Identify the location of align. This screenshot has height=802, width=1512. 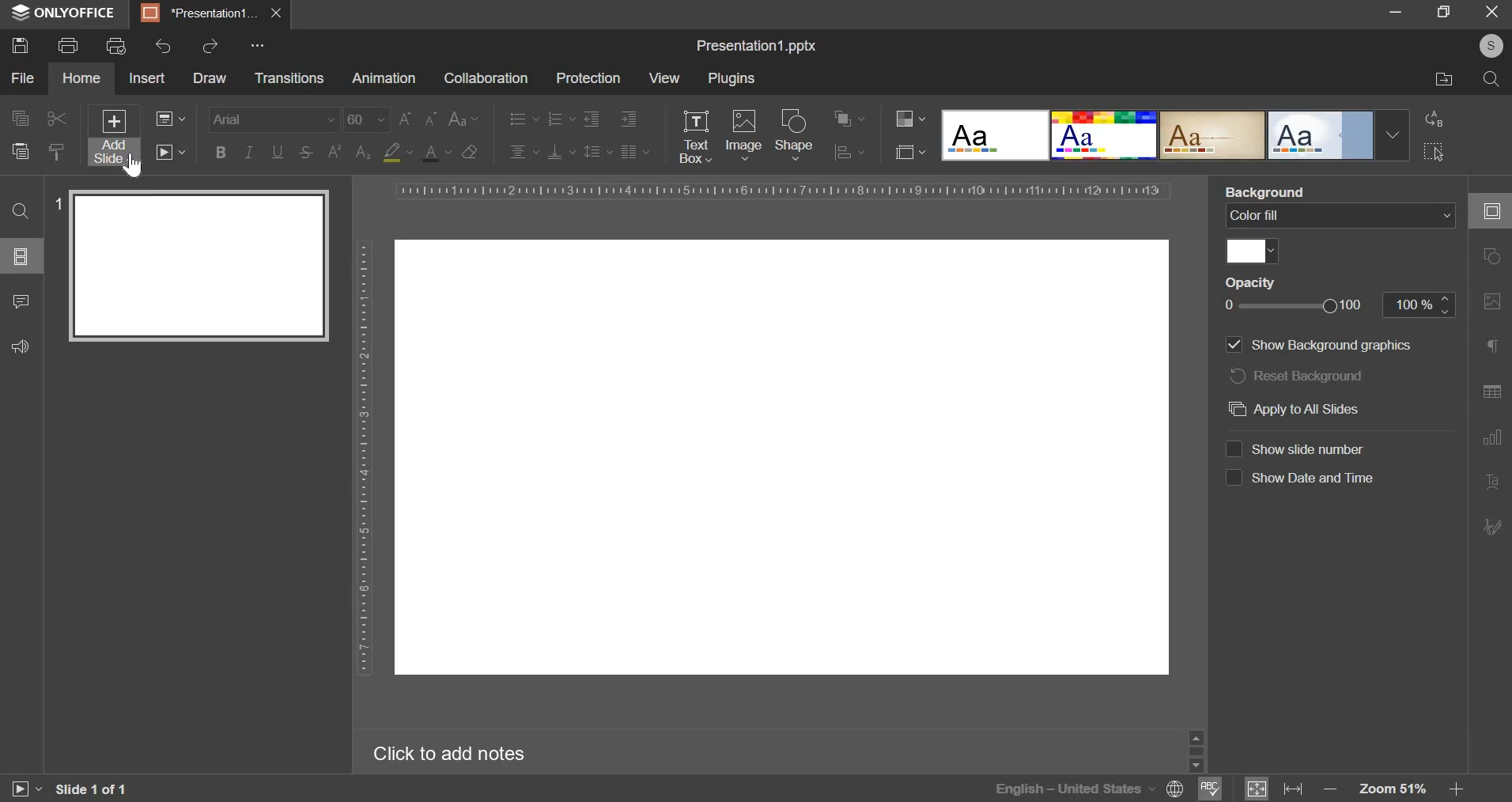
(850, 153).